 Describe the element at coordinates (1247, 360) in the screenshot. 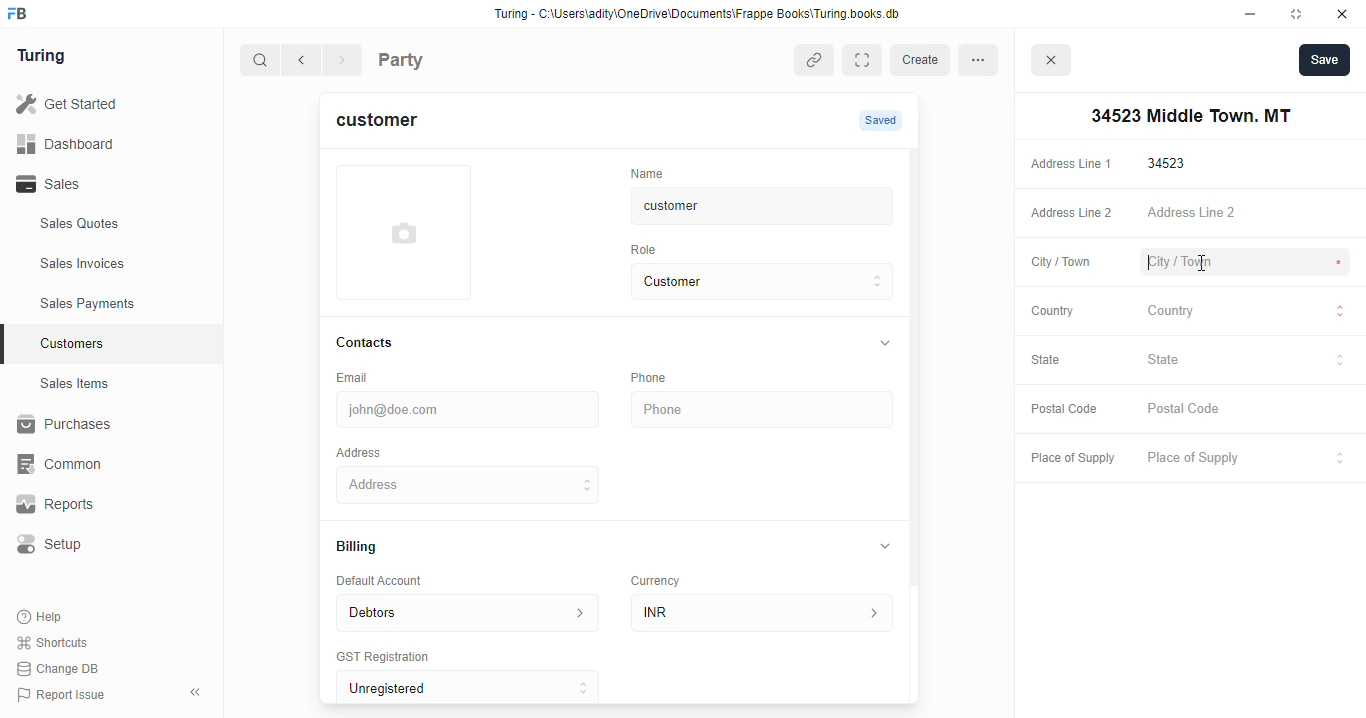

I see `State` at that location.